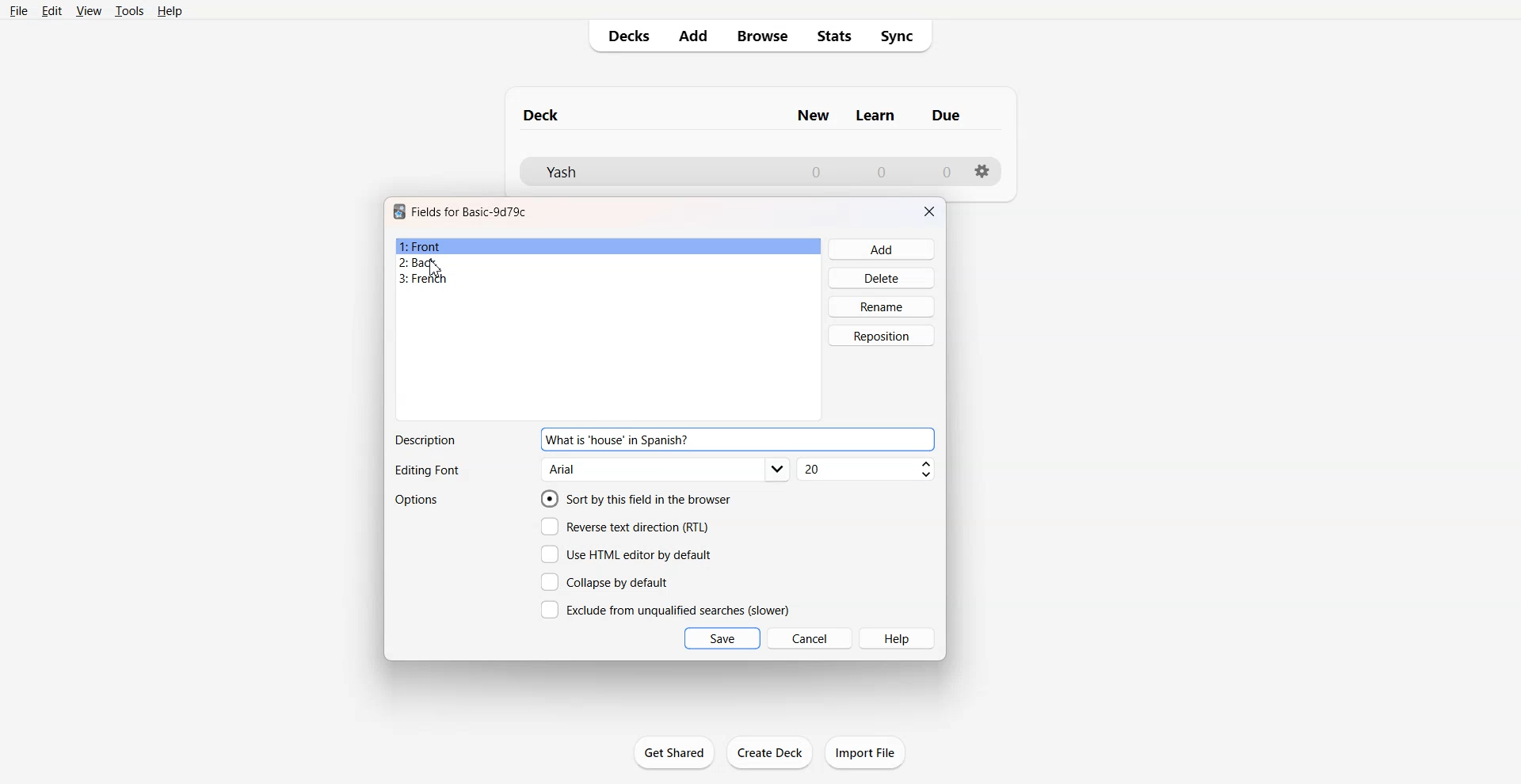 This screenshot has height=784, width=1521. I want to click on Tools, so click(129, 10).